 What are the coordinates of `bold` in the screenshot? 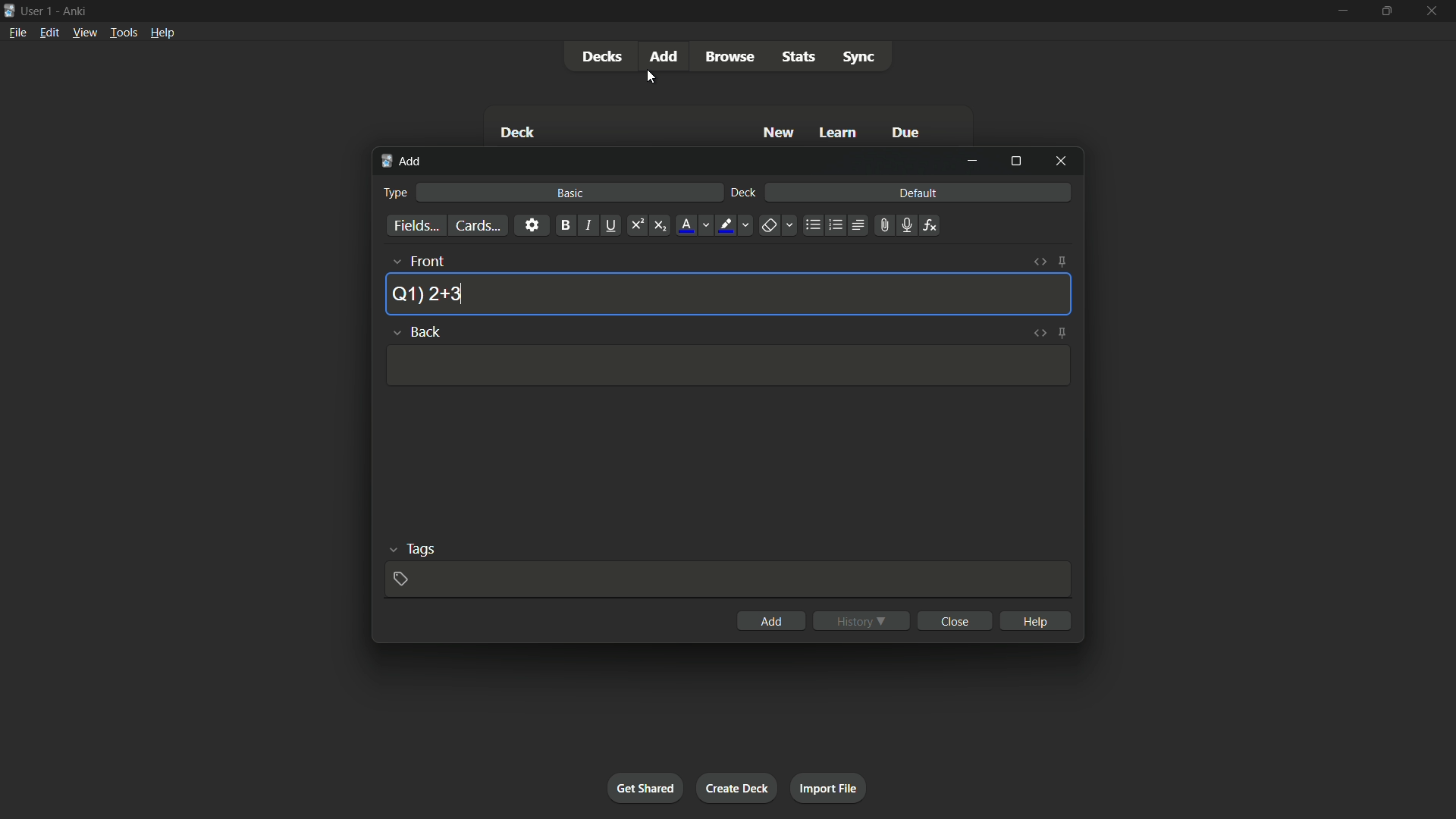 It's located at (565, 226).